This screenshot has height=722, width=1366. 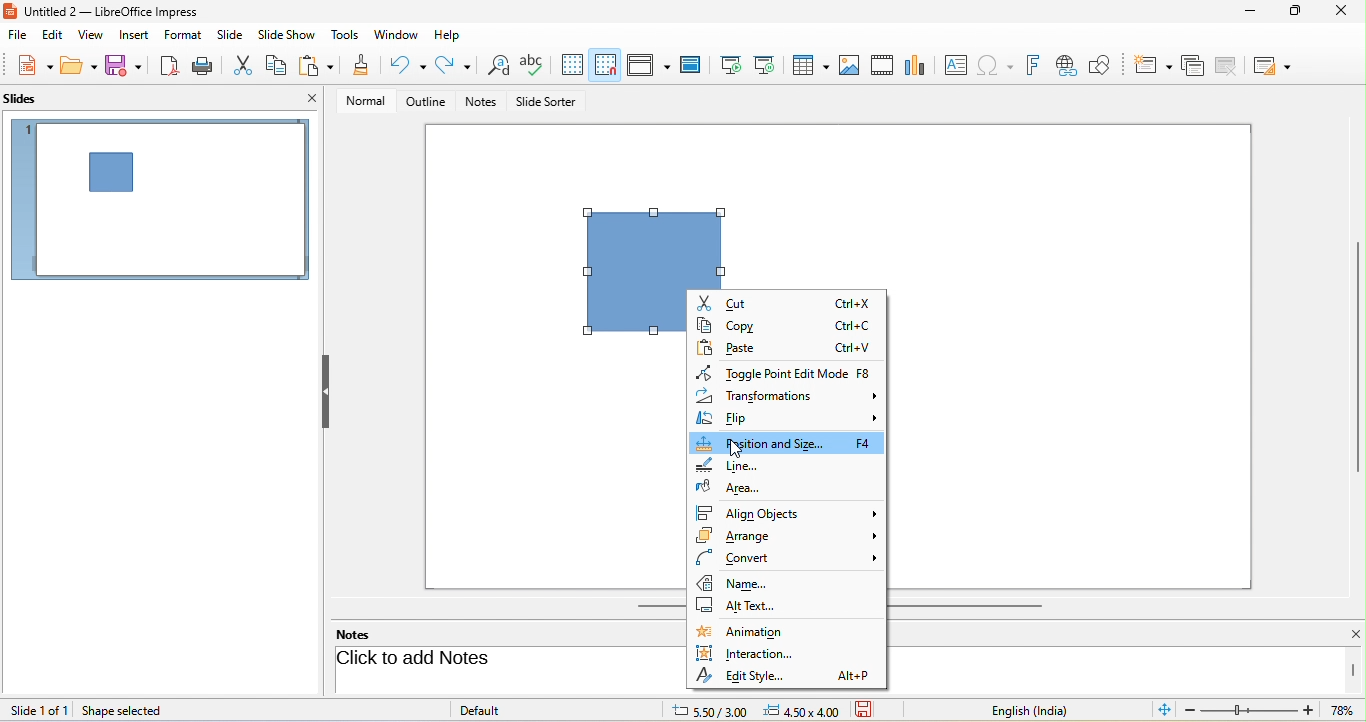 What do you see at coordinates (1344, 635) in the screenshot?
I see `close` at bounding box center [1344, 635].